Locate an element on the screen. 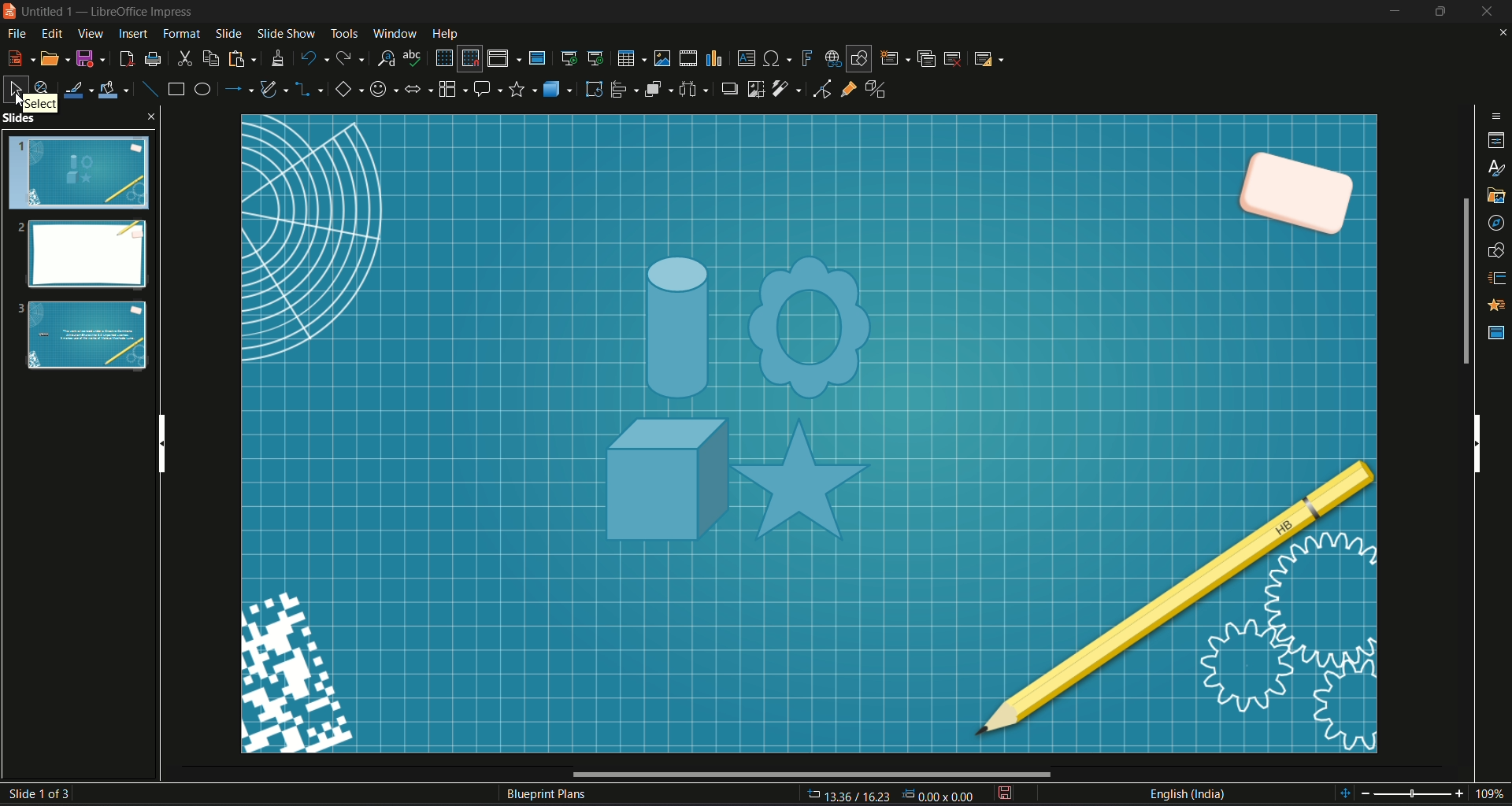  Scroll bar is located at coordinates (1464, 281).